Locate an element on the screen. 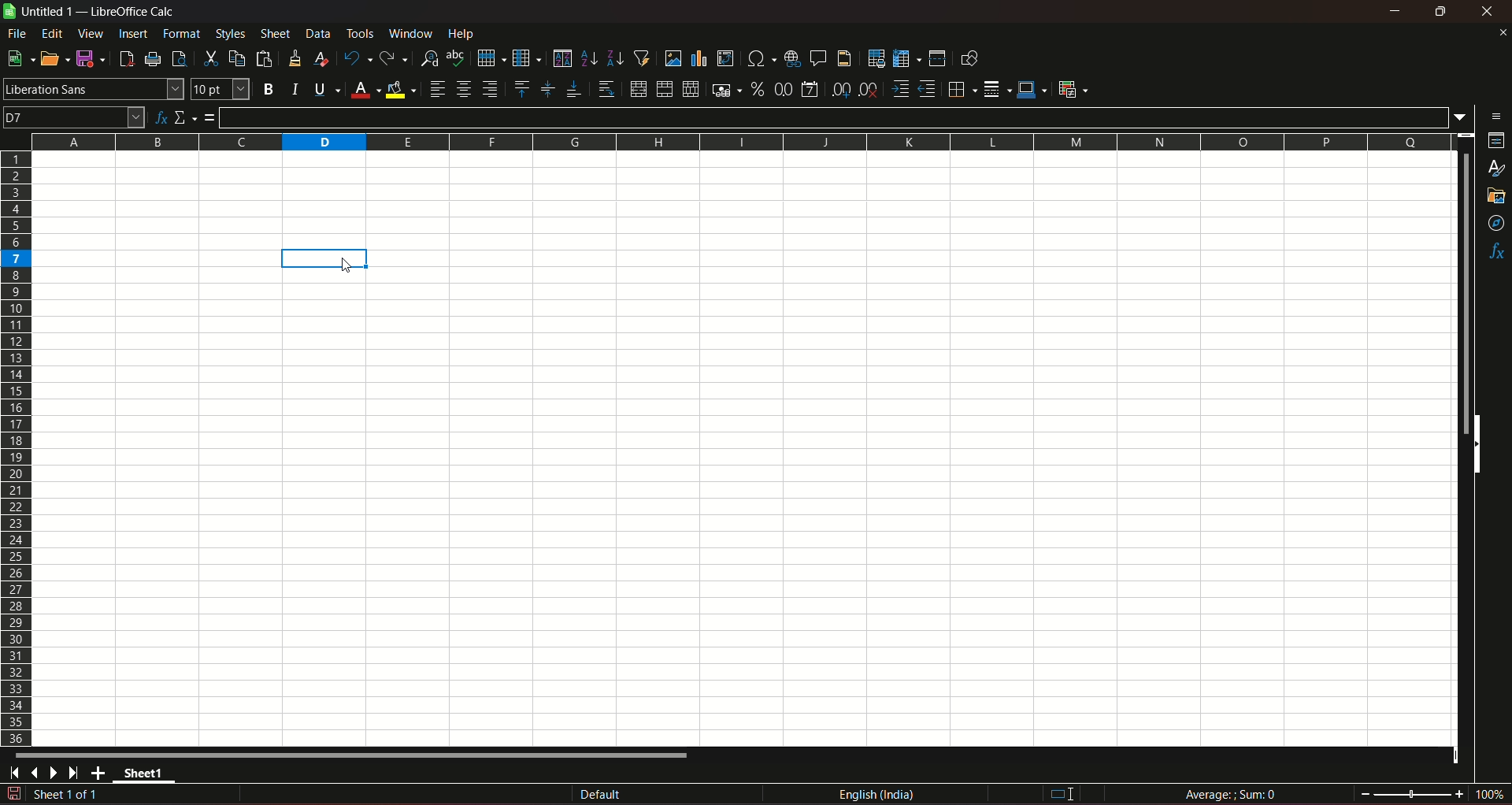 The width and height of the screenshot is (1512, 805). edit is located at coordinates (53, 33).